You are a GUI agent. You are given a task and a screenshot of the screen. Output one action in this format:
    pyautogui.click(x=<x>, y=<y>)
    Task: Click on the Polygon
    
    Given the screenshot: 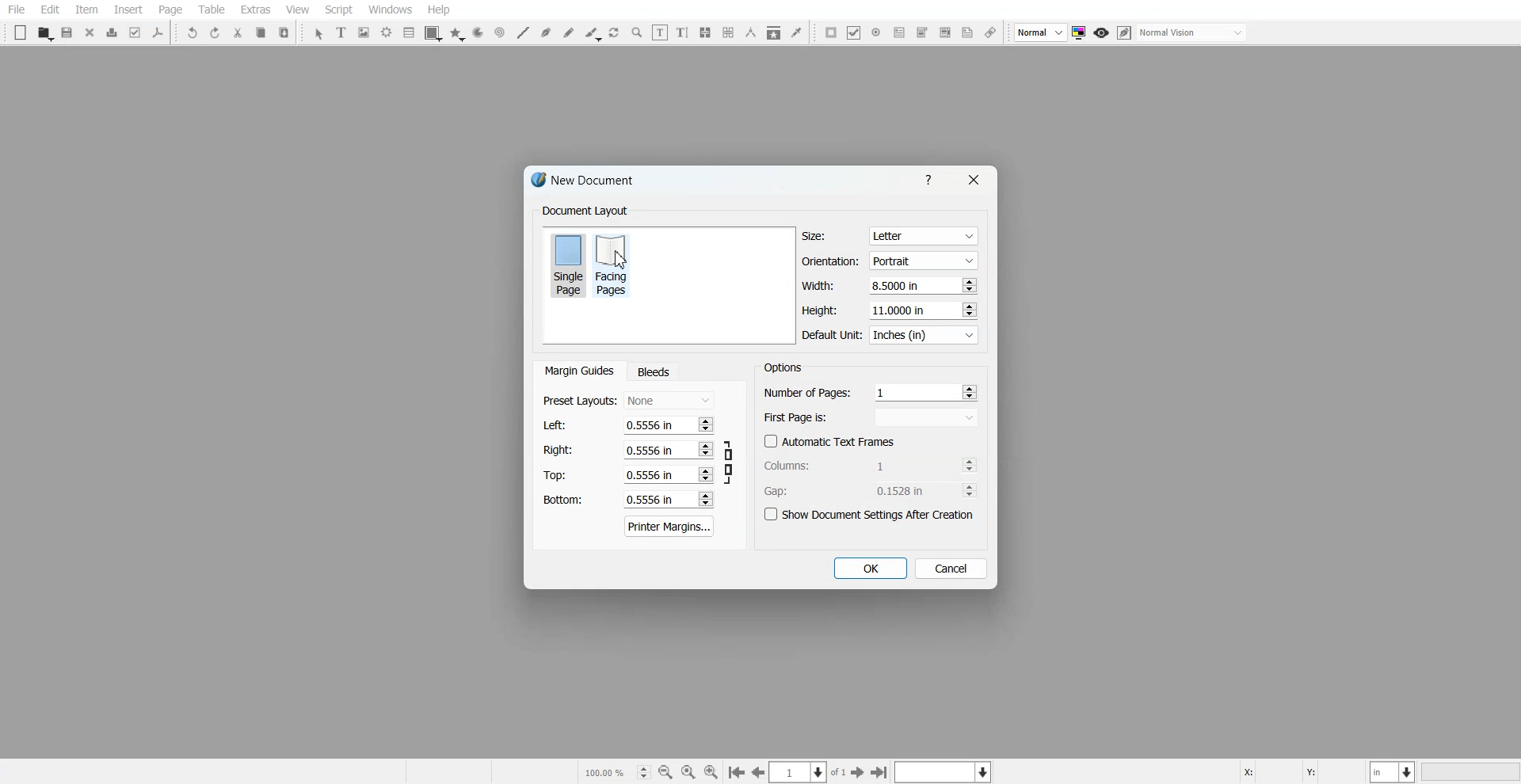 What is the action you would take?
    pyautogui.click(x=457, y=34)
    